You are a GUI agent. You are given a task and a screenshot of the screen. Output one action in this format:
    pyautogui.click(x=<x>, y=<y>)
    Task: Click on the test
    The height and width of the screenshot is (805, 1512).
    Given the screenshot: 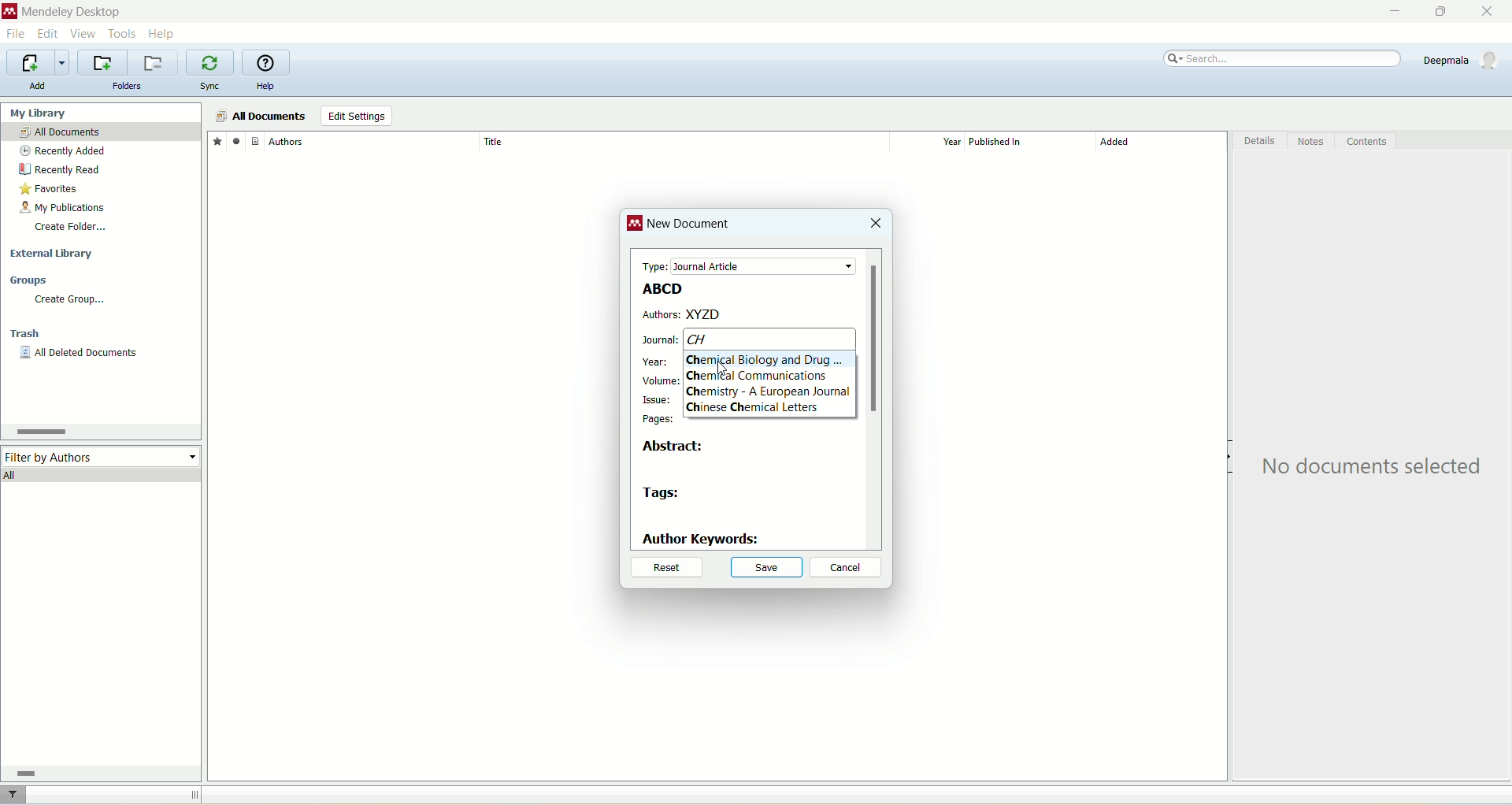 What is the action you would take?
    pyautogui.click(x=743, y=272)
    